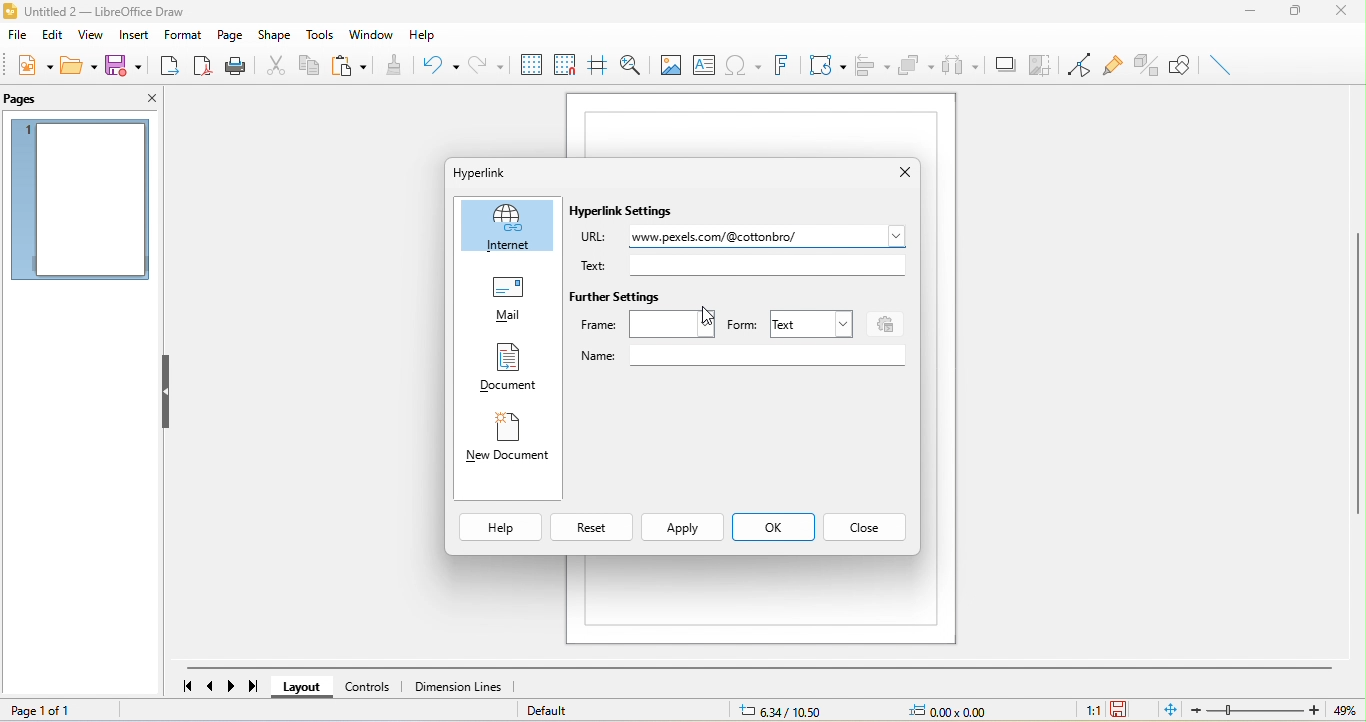 Image resolution: width=1366 pixels, height=722 pixels. What do you see at coordinates (700, 318) in the screenshot?
I see `cursor` at bounding box center [700, 318].